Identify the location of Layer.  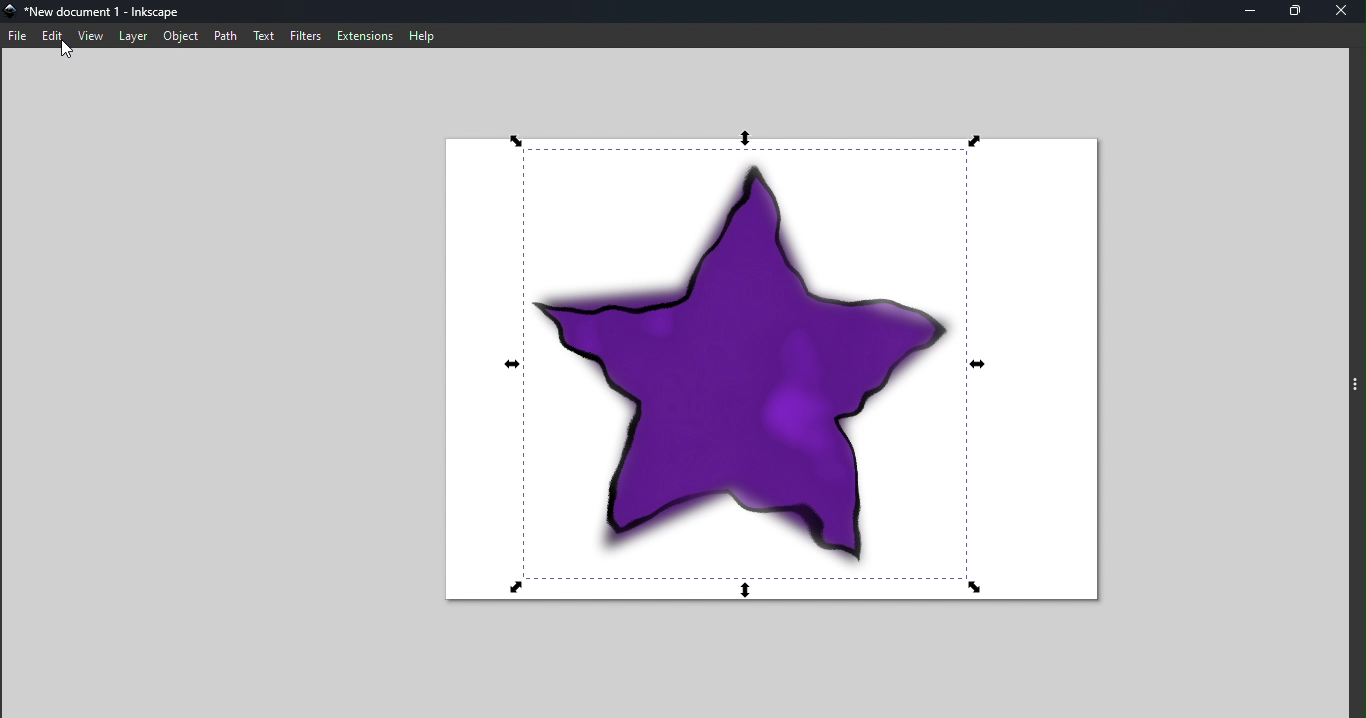
(133, 37).